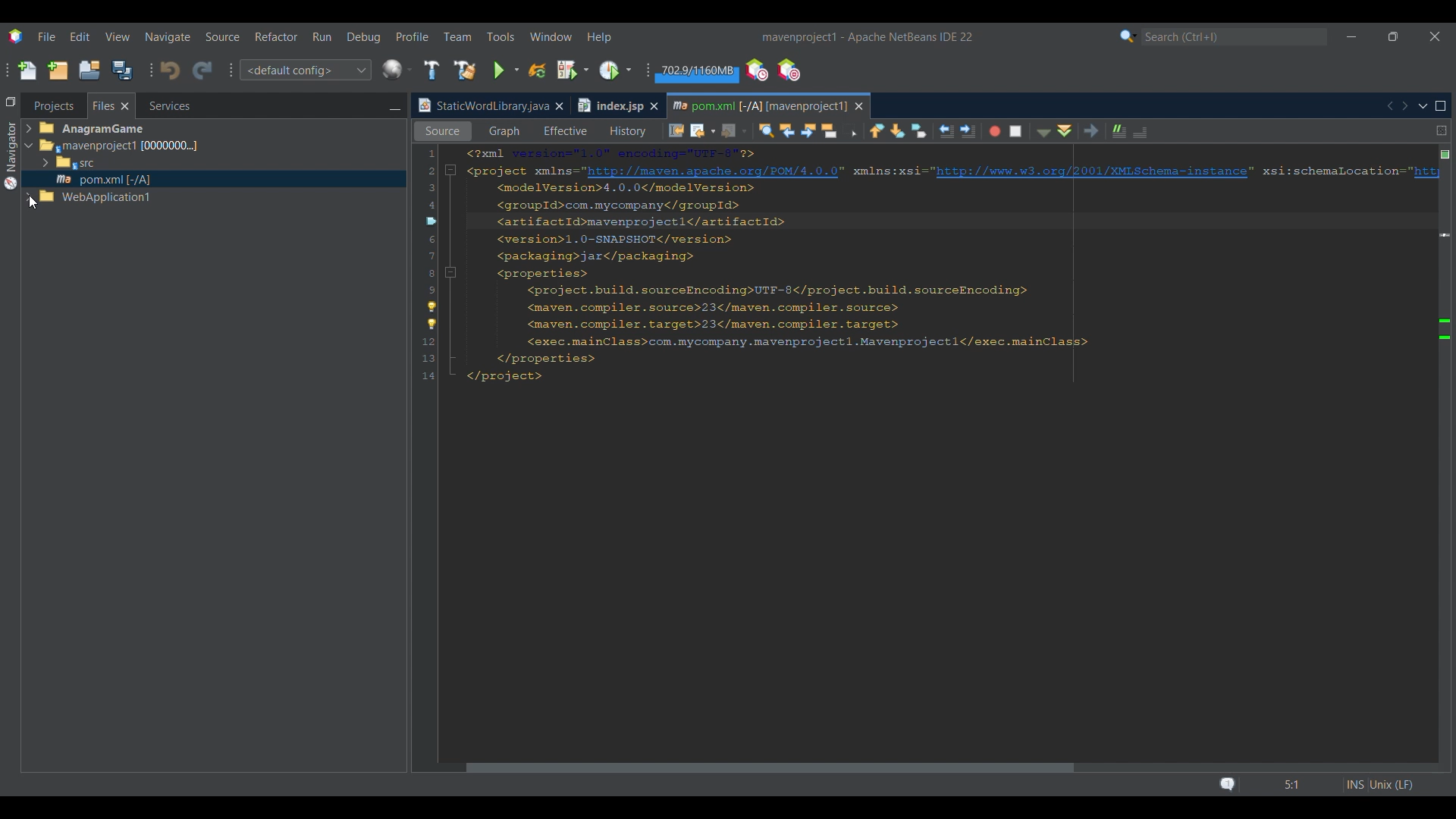 The height and width of the screenshot is (819, 1456). What do you see at coordinates (394, 107) in the screenshot?
I see `Minimize` at bounding box center [394, 107].